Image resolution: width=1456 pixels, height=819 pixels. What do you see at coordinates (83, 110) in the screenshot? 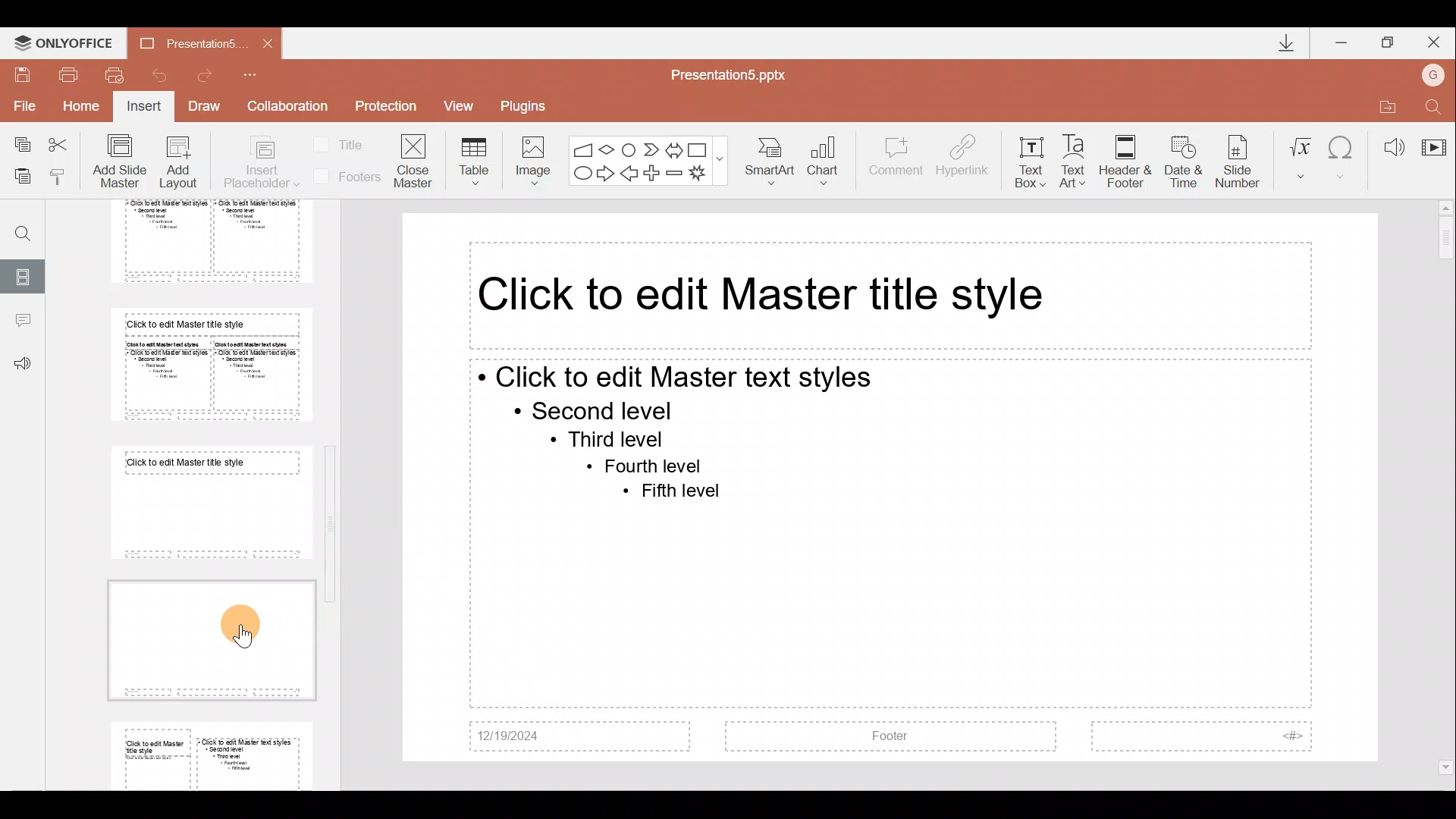
I see `Home` at bounding box center [83, 110].